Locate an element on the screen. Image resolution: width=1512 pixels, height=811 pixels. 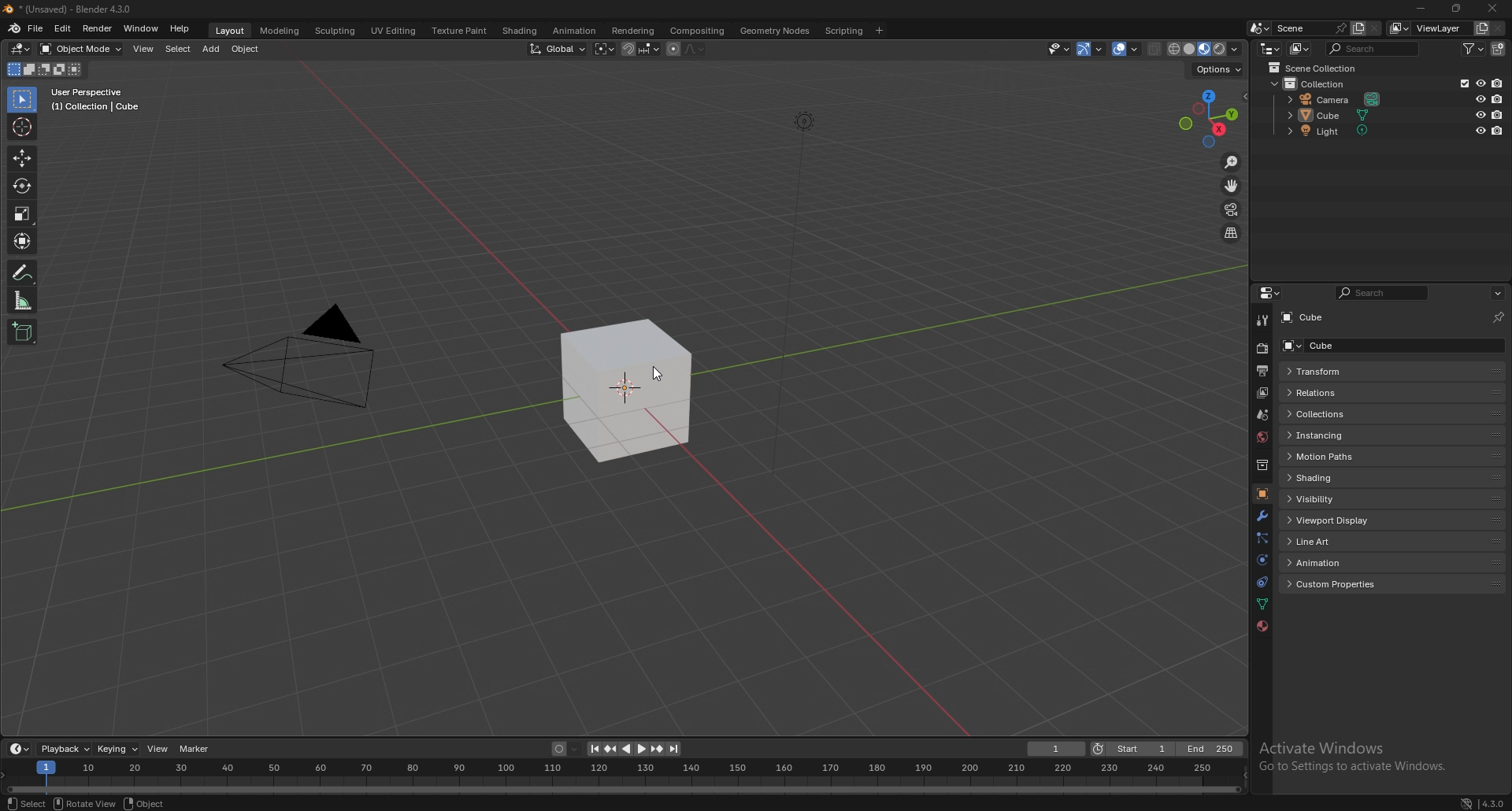
add collection is located at coordinates (1498, 49).